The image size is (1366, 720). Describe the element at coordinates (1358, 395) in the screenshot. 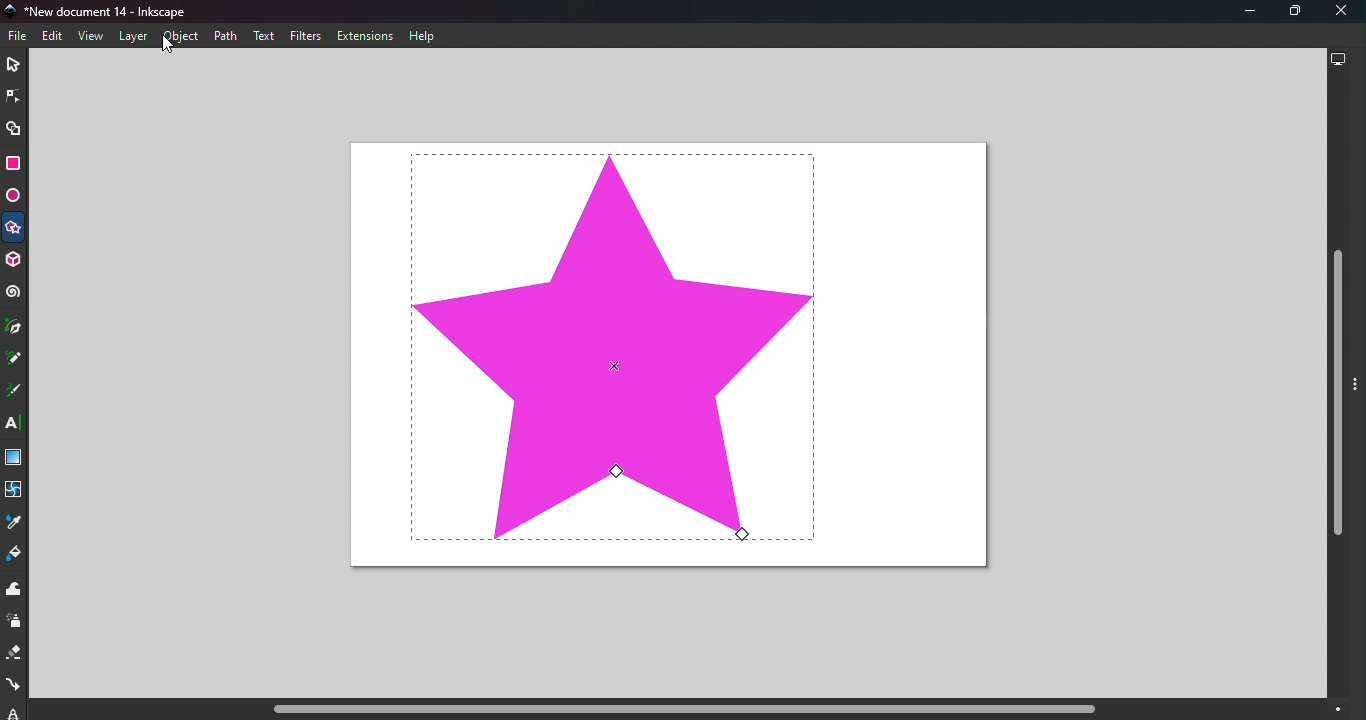

I see `Toggle command panel` at that location.